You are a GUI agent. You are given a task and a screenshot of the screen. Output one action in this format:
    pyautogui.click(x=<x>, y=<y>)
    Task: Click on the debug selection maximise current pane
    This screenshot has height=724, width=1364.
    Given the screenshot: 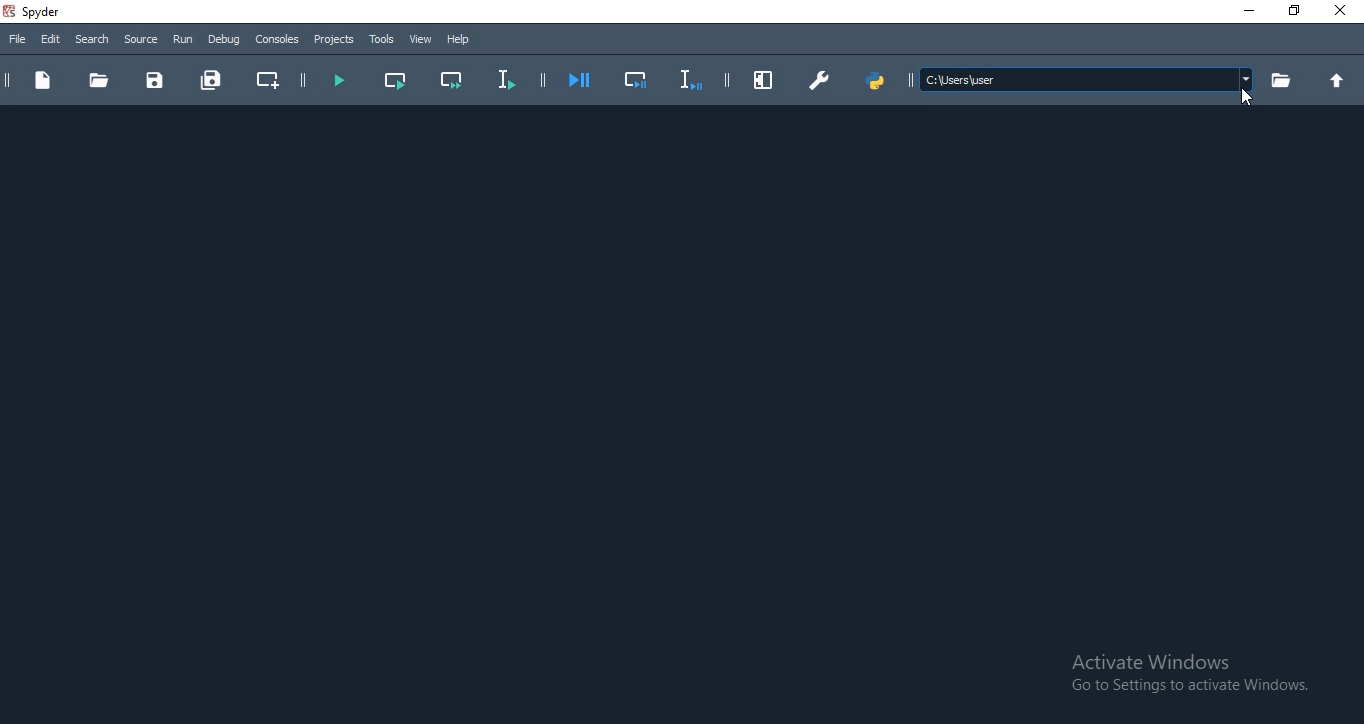 What is the action you would take?
    pyautogui.click(x=637, y=82)
    